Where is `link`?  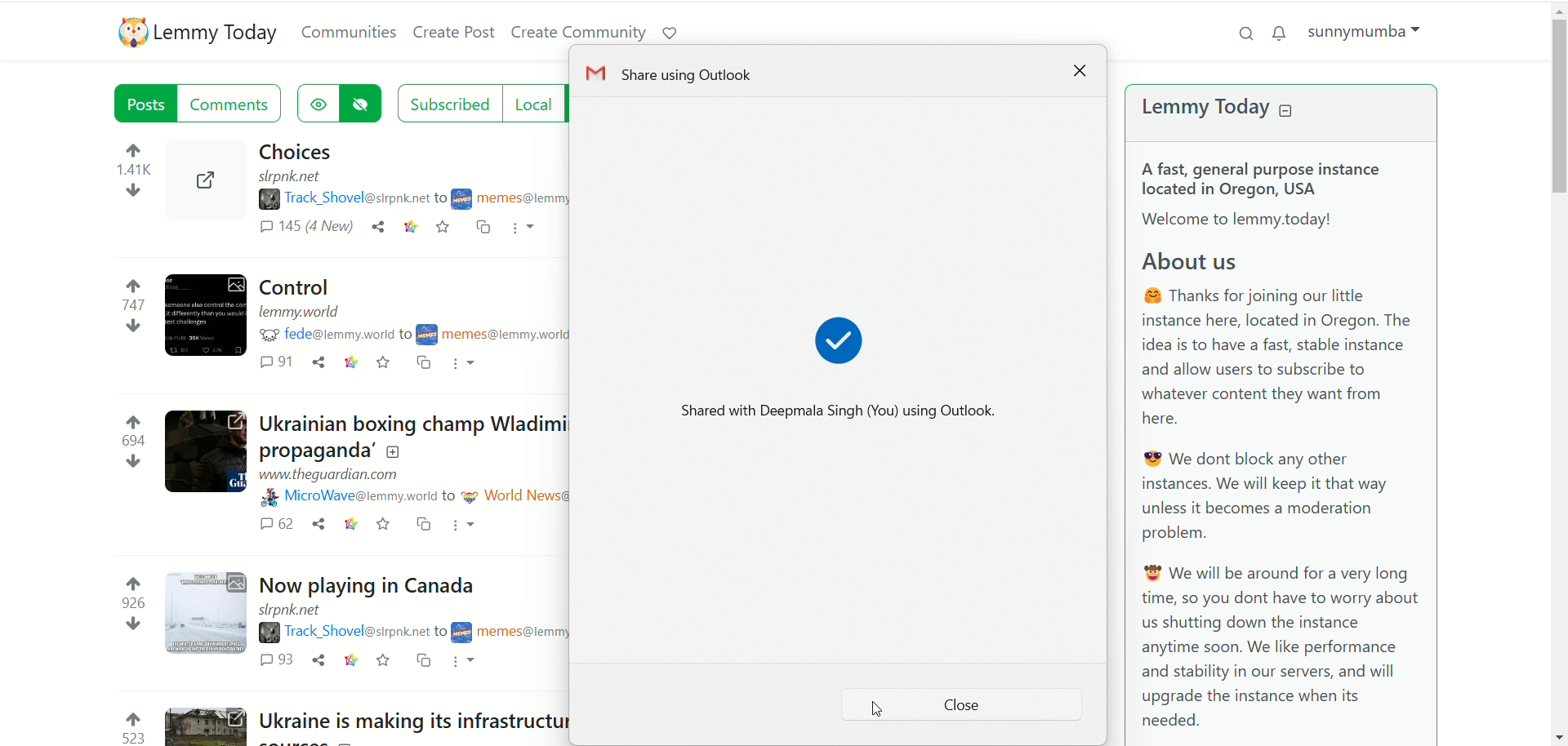 link is located at coordinates (352, 524).